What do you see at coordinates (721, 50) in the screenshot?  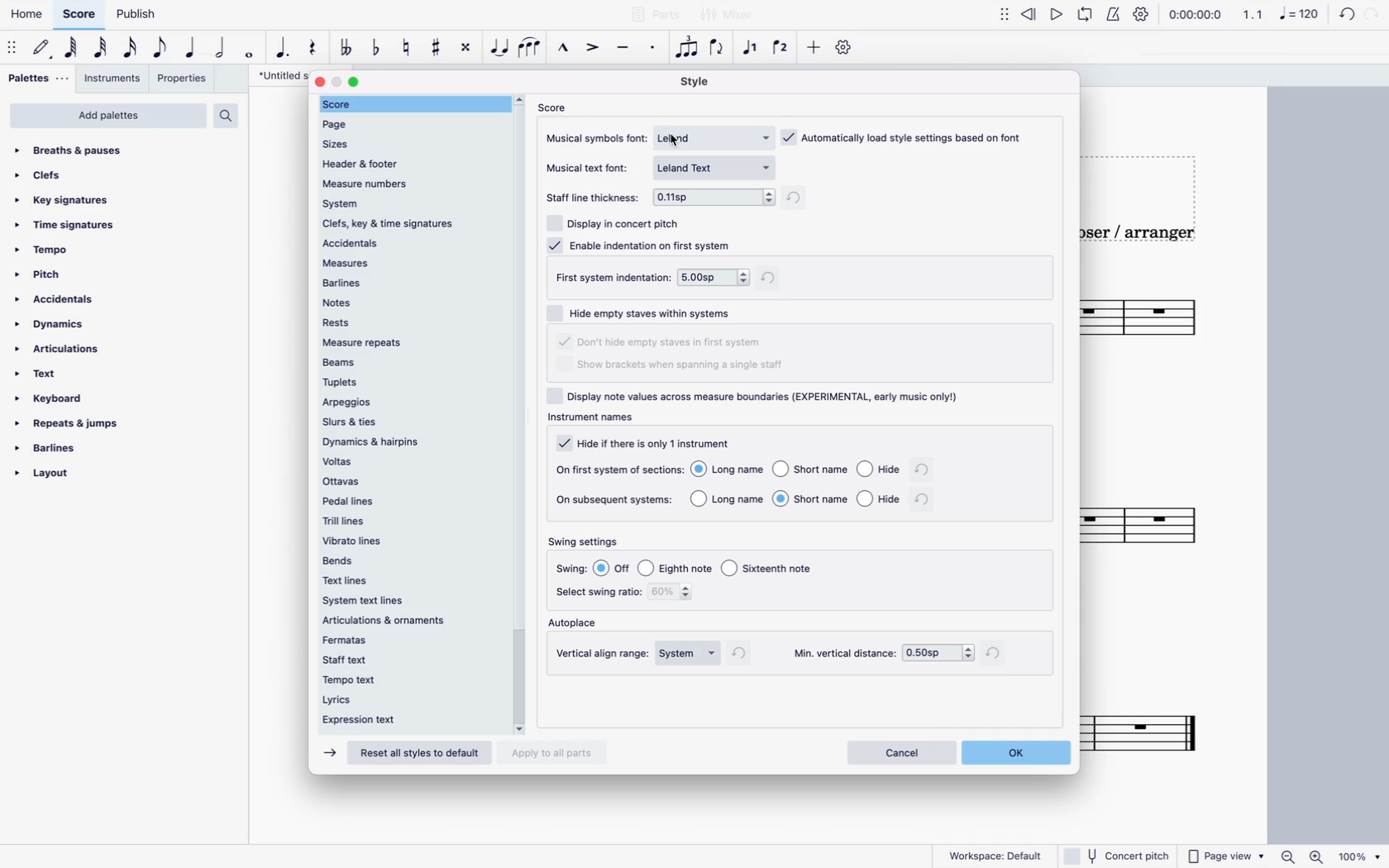 I see `flip direction` at bounding box center [721, 50].